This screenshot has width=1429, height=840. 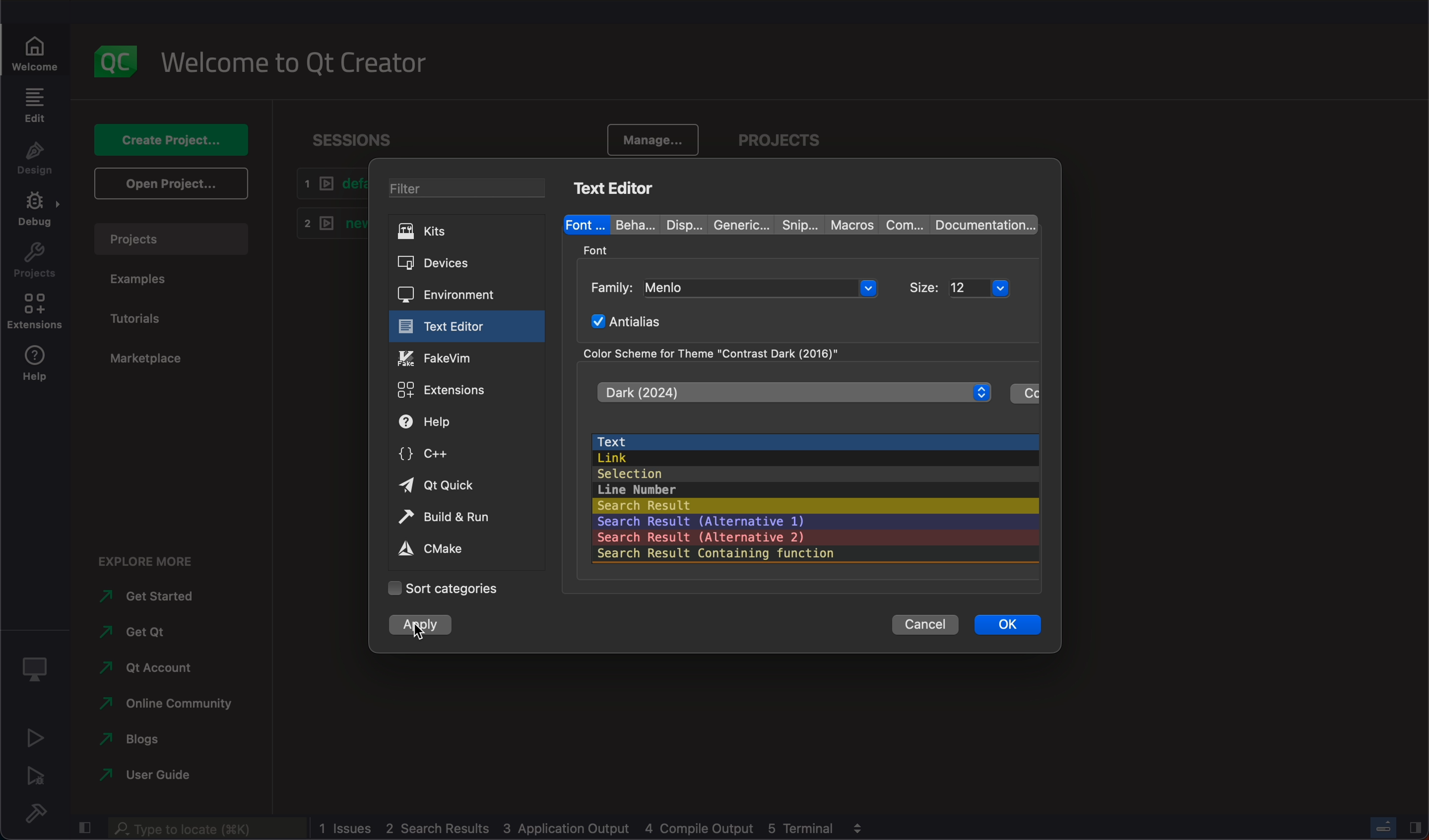 What do you see at coordinates (150, 562) in the screenshot?
I see `explore more` at bounding box center [150, 562].